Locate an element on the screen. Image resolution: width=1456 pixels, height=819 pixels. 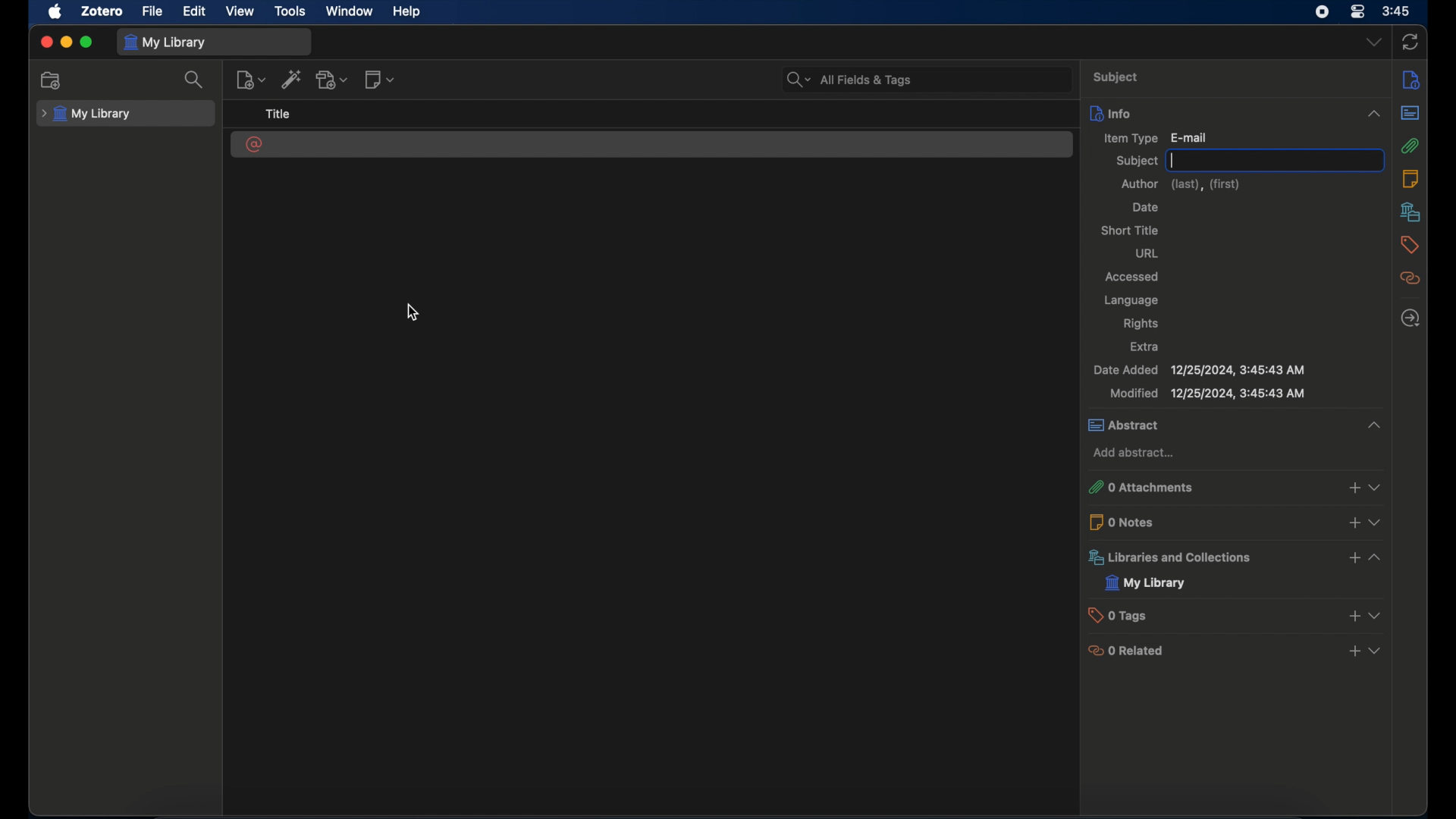
title is located at coordinates (278, 115).